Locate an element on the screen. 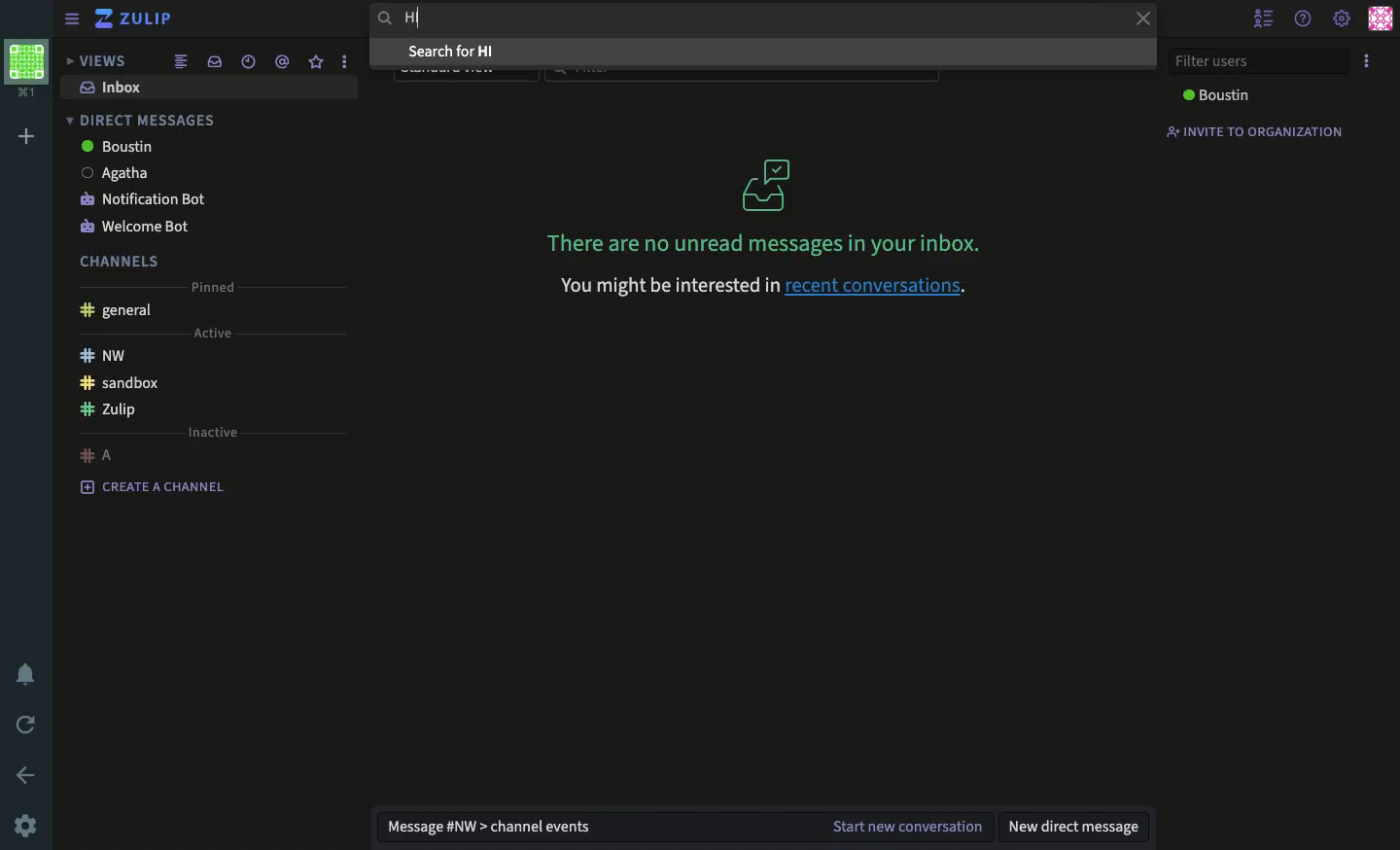 The image size is (1400, 850). star is located at coordinates (316, 60).